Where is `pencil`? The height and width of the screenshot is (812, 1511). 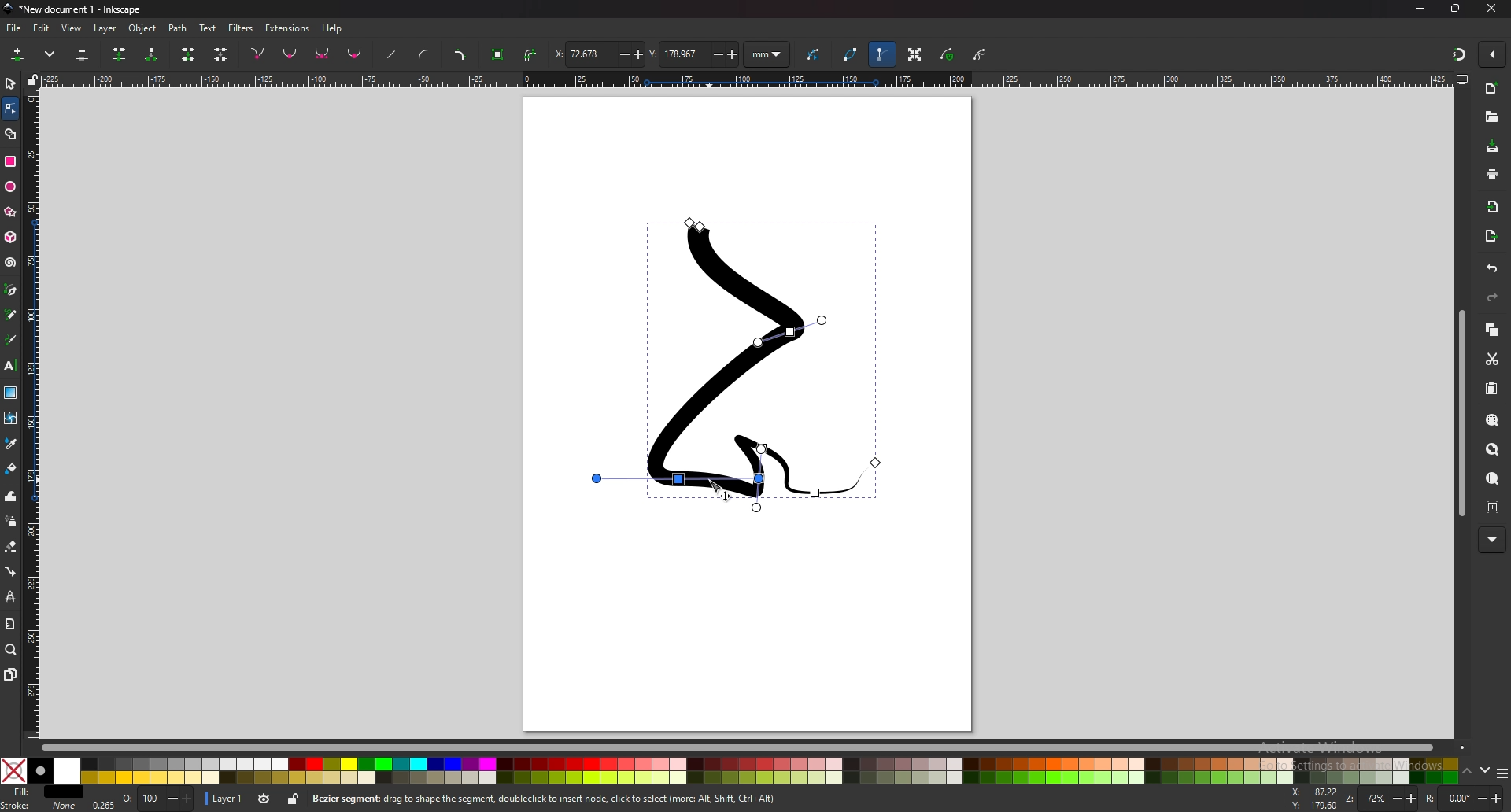 pencil is located at coordinates (11, 314).